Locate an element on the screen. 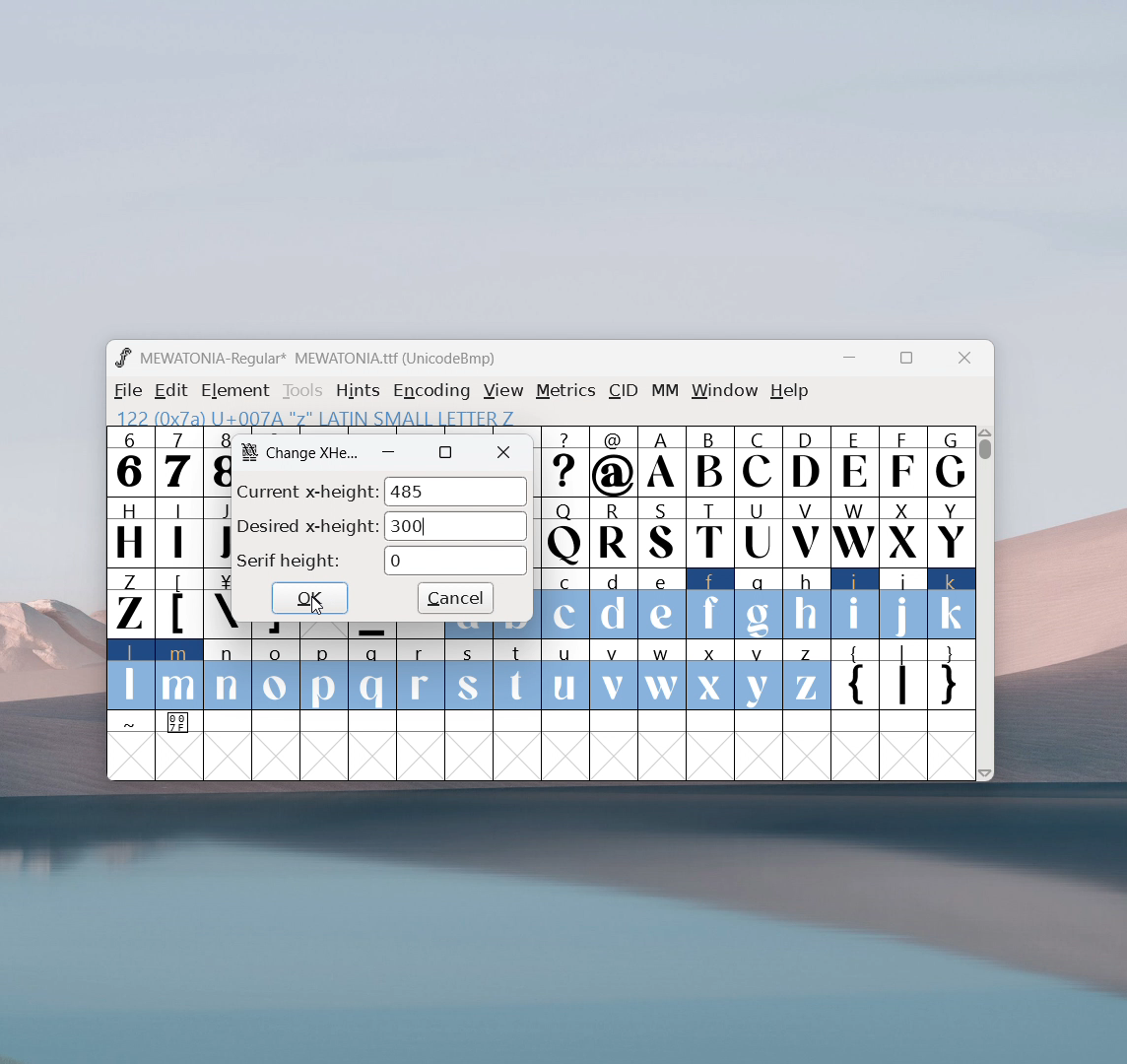 The width and height of the screenshot is (1127, 1064). t is located at coordinates (518, 676).